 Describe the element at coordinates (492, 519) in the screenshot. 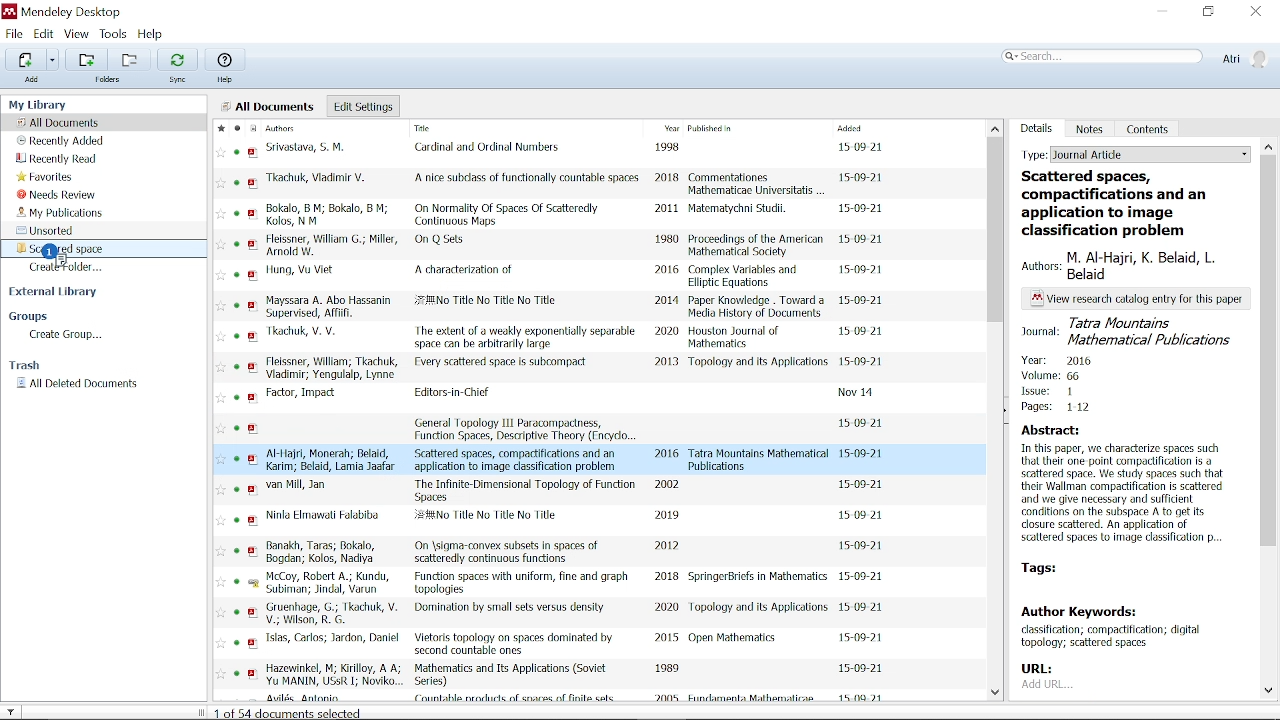

I see `title` at that location.